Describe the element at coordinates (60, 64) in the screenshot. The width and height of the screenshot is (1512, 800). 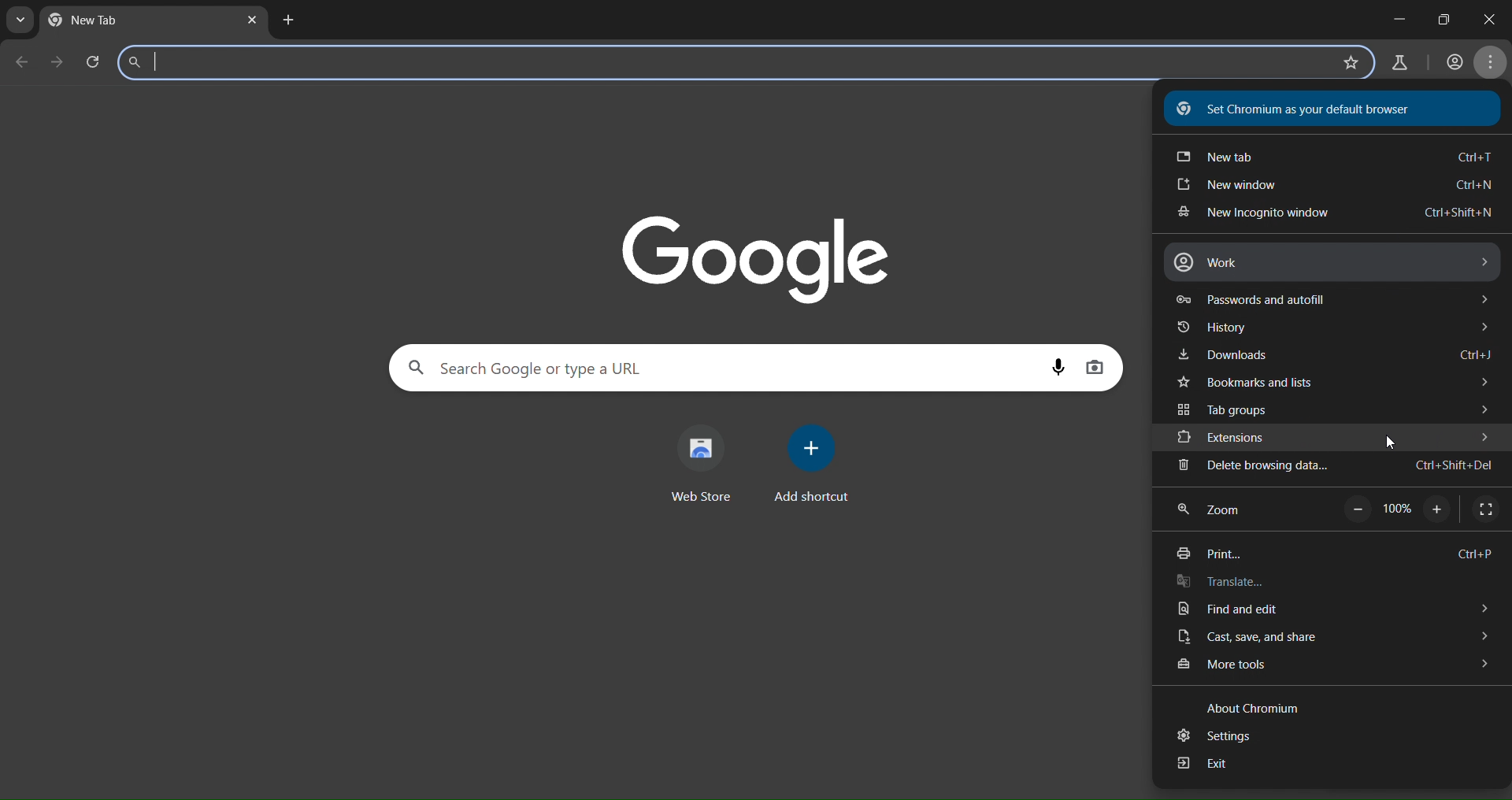
I see `go forward one page` at that location.